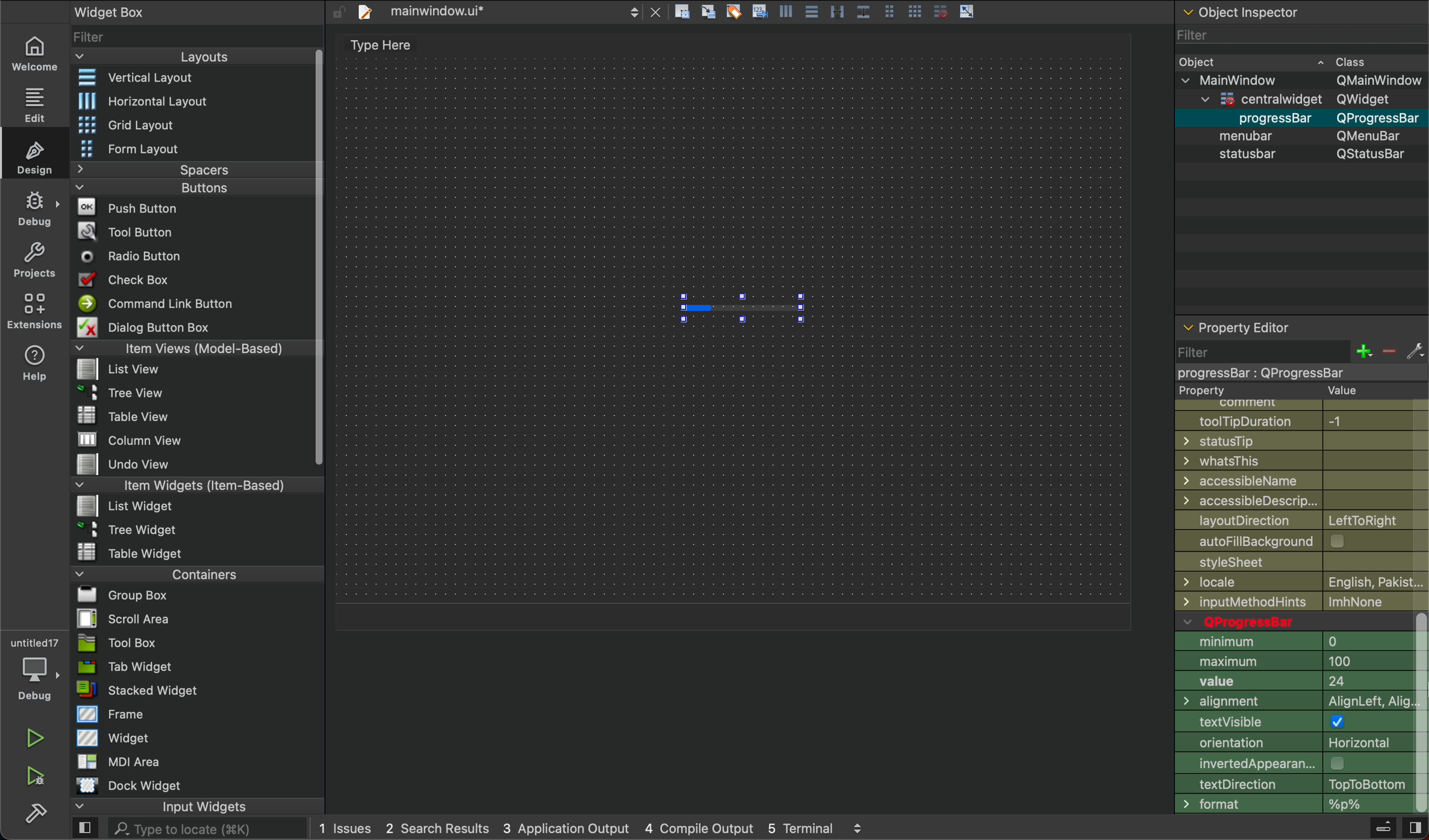  Describe the element at coordinates (1300, 107) in the screenshot. I see `Object Detail` at that location.